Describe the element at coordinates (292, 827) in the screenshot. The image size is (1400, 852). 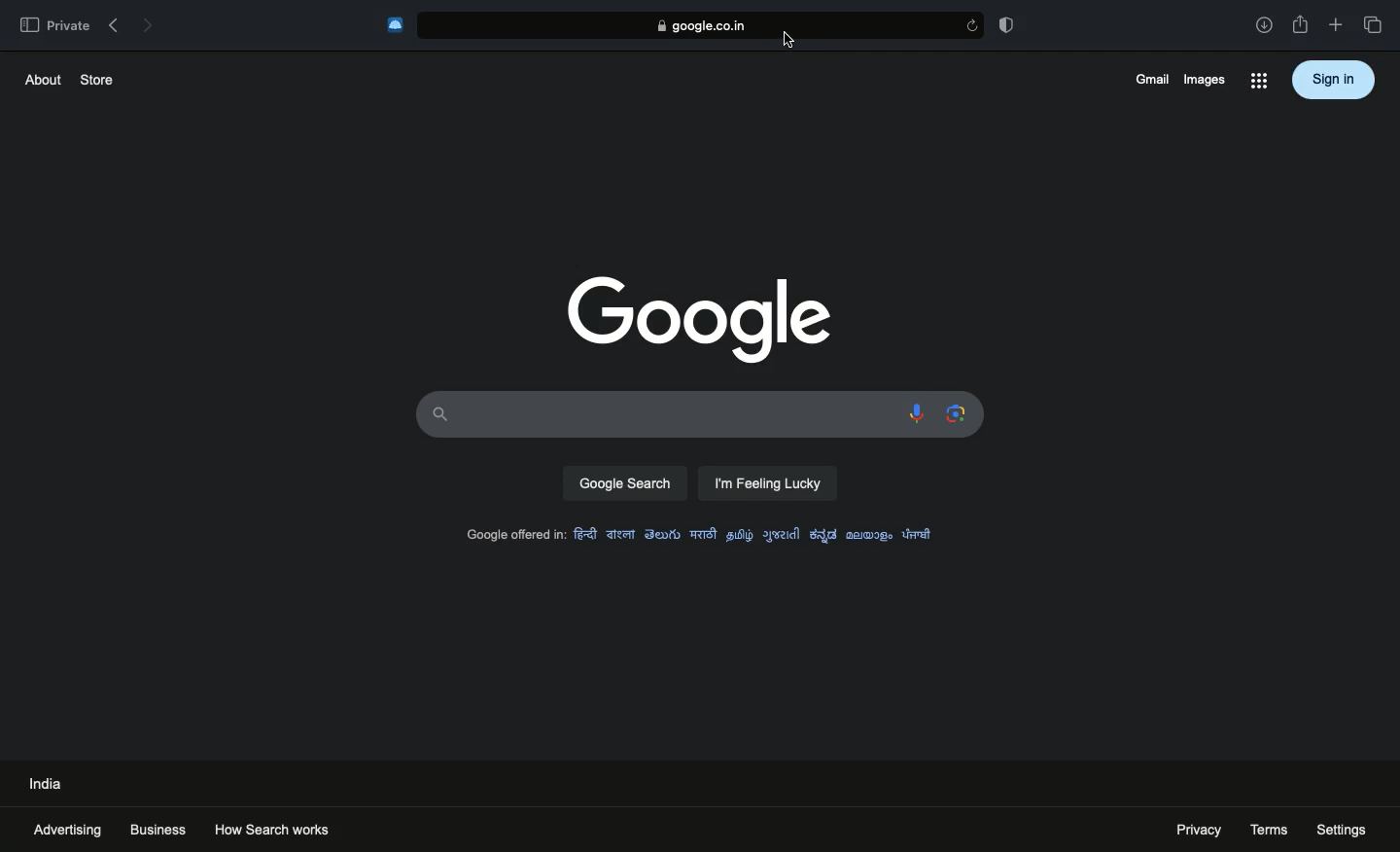
I see `how search works` at that location.